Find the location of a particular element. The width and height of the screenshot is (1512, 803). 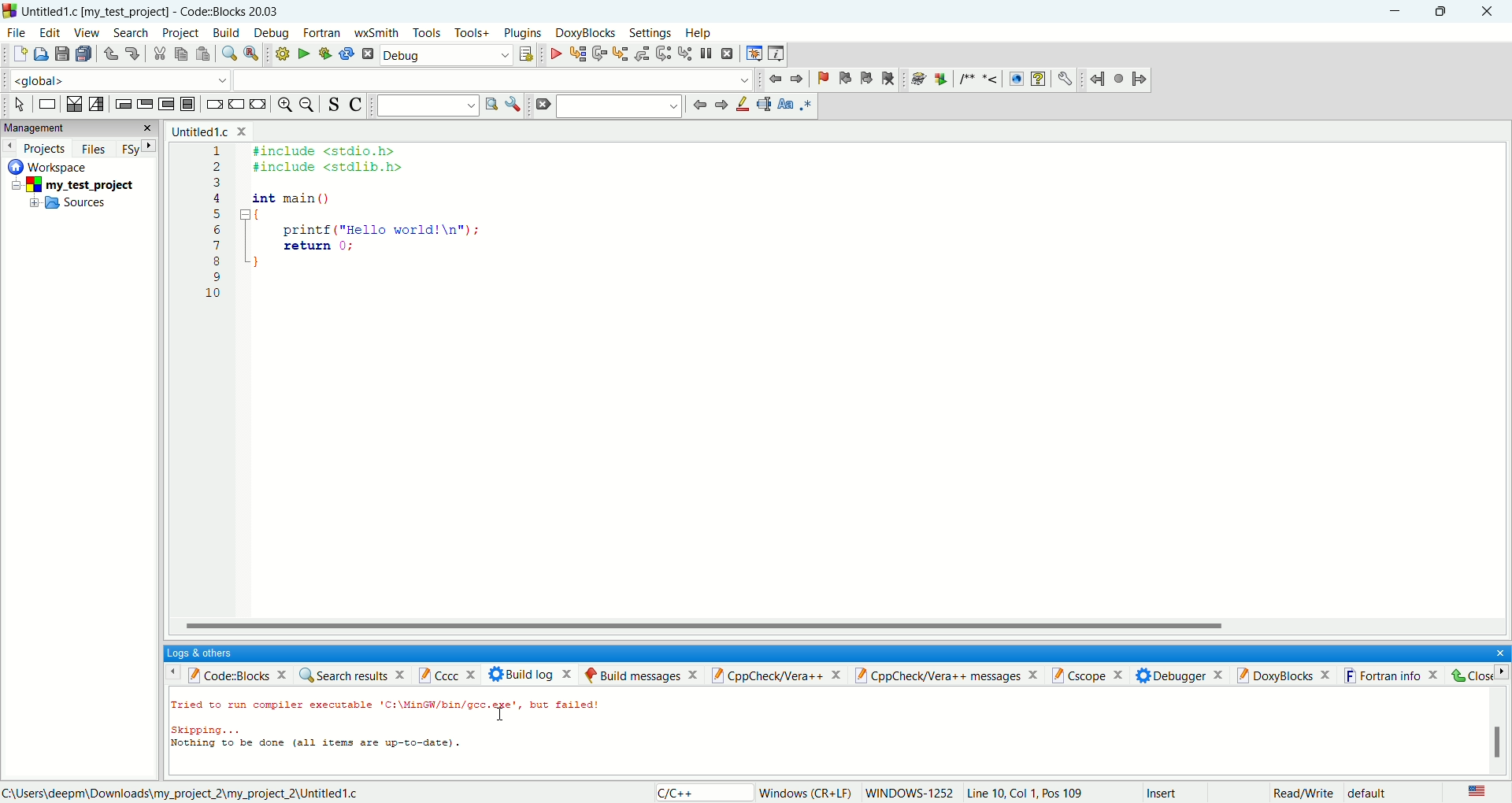

jump back is located at coordinates (699, 105).